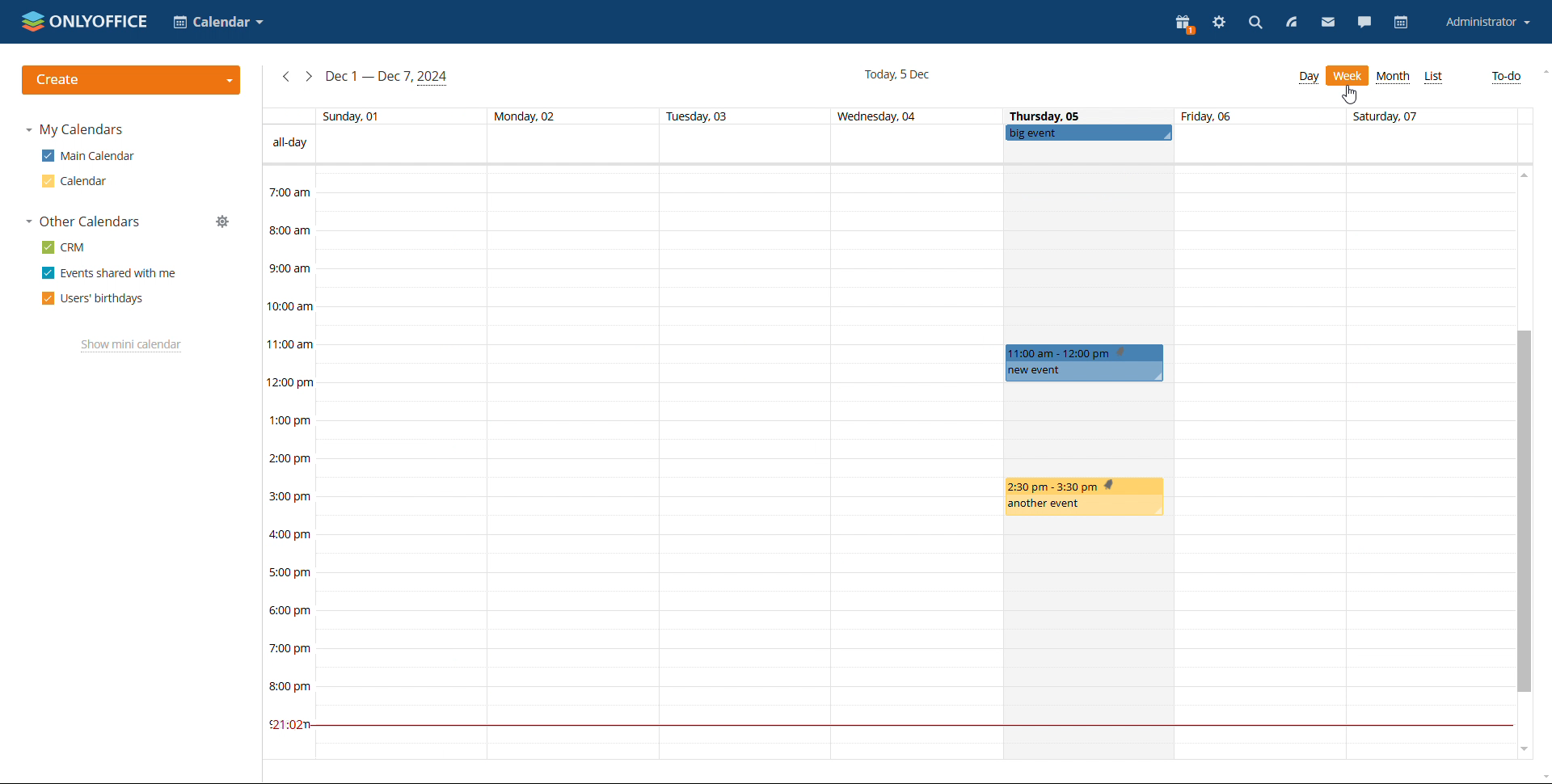 This screenshot has height=784, width=1552. I want to click on all-day events in a week, so click(915, 152).